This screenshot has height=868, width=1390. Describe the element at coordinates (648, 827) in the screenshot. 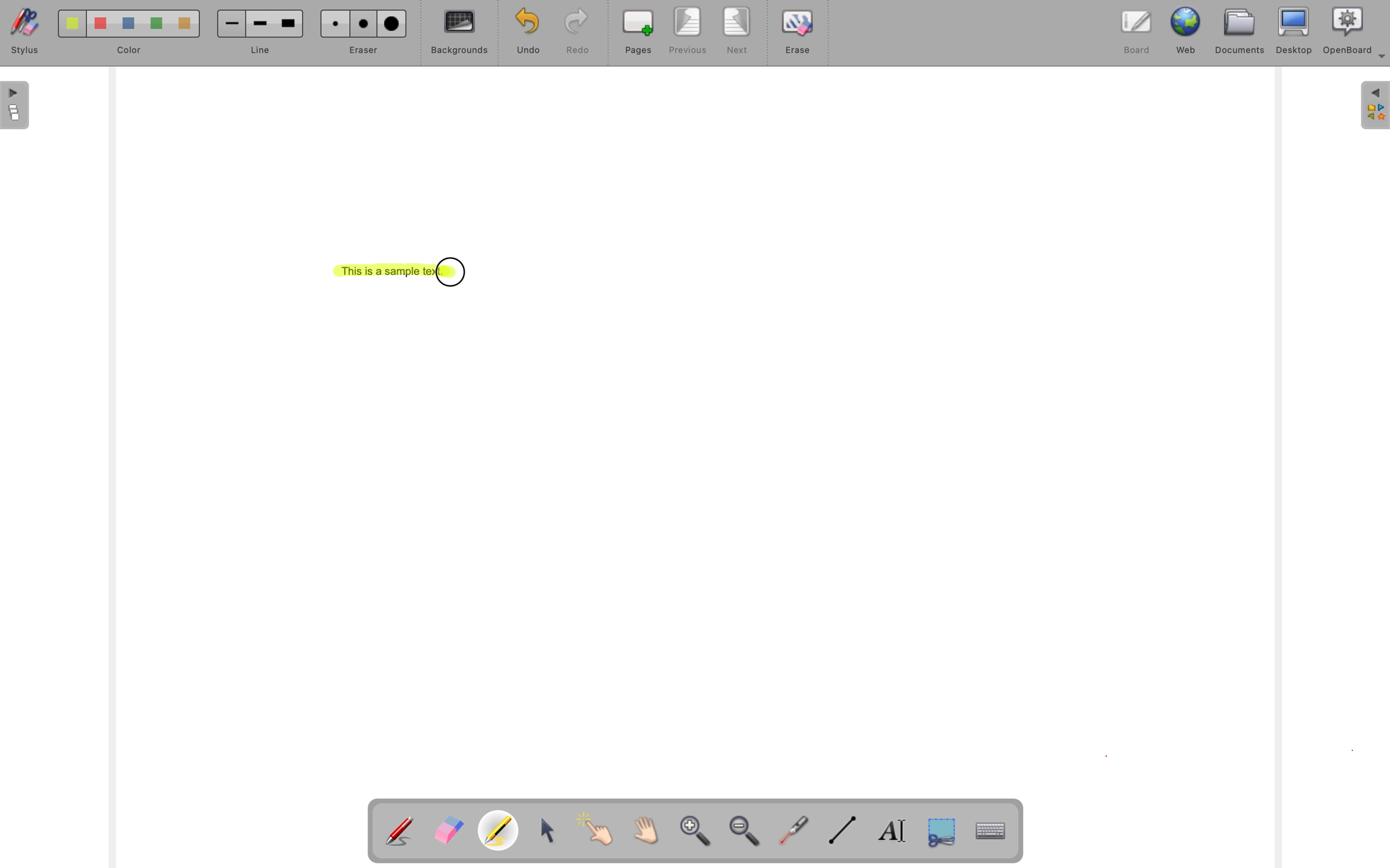

I see `Scroll page` at that location.